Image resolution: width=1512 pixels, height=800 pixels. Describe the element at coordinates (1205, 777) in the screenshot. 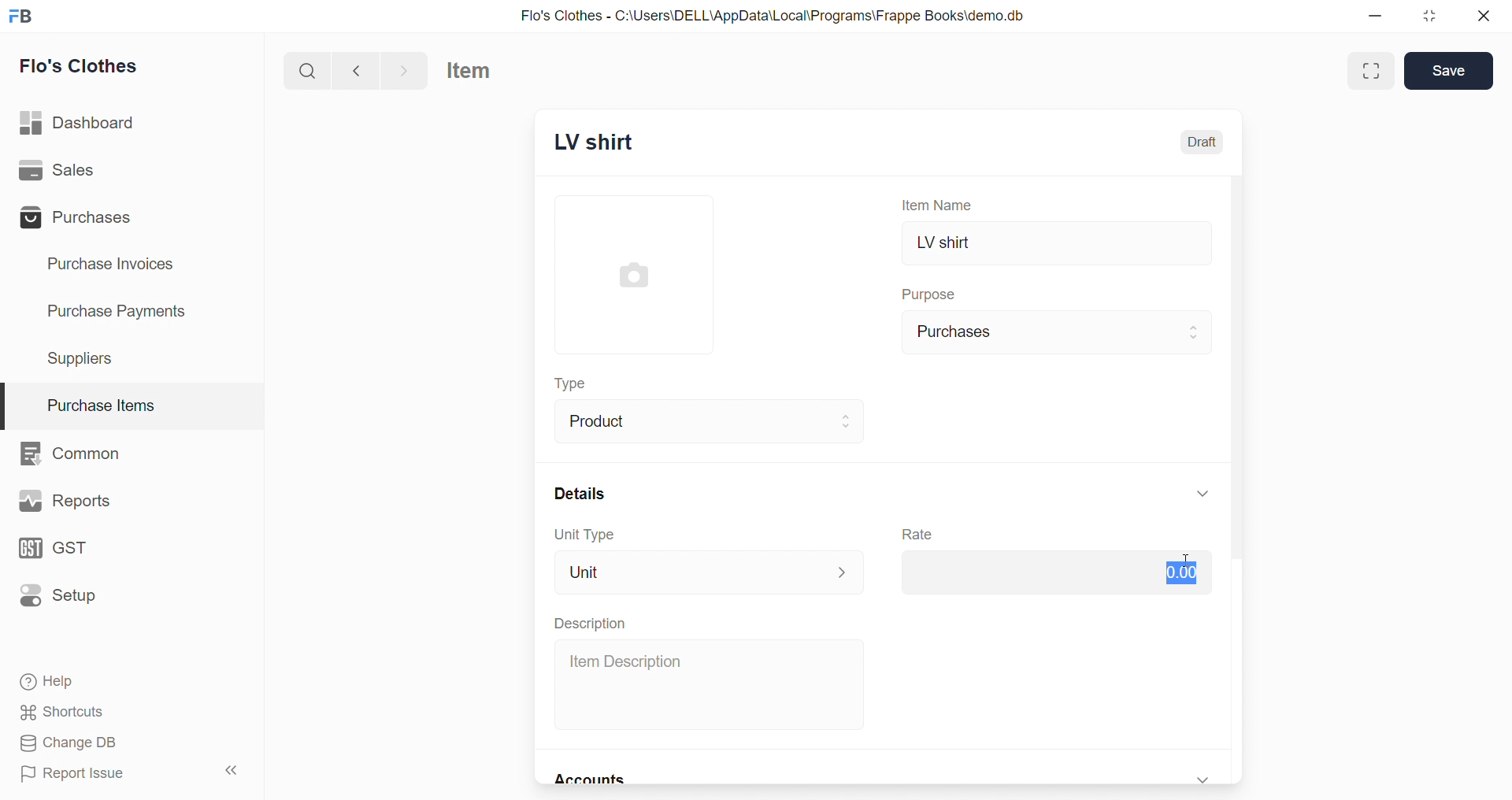

I see `expand/collapse` at that location.